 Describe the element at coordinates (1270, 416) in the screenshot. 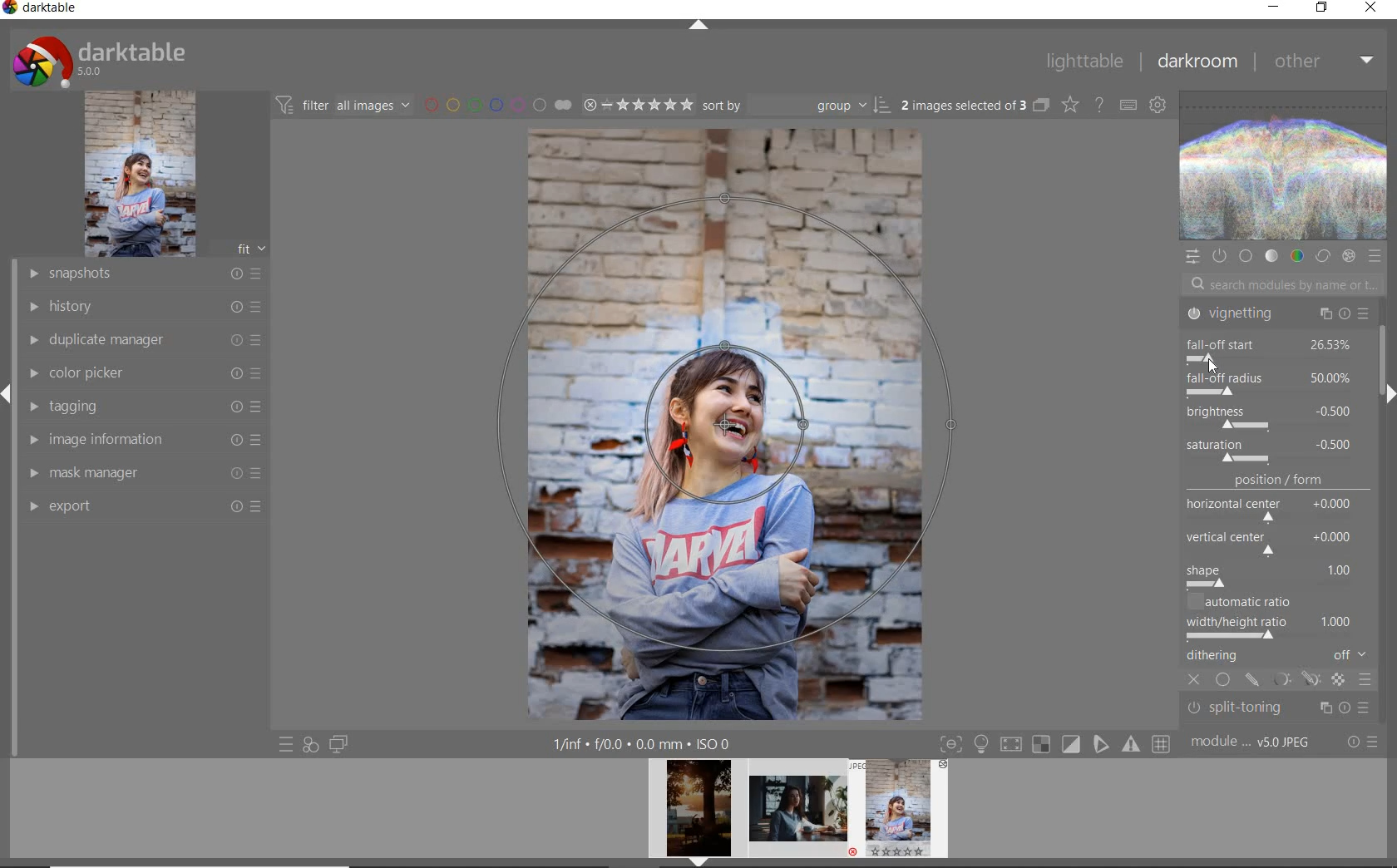

I see `brightness` at that location.